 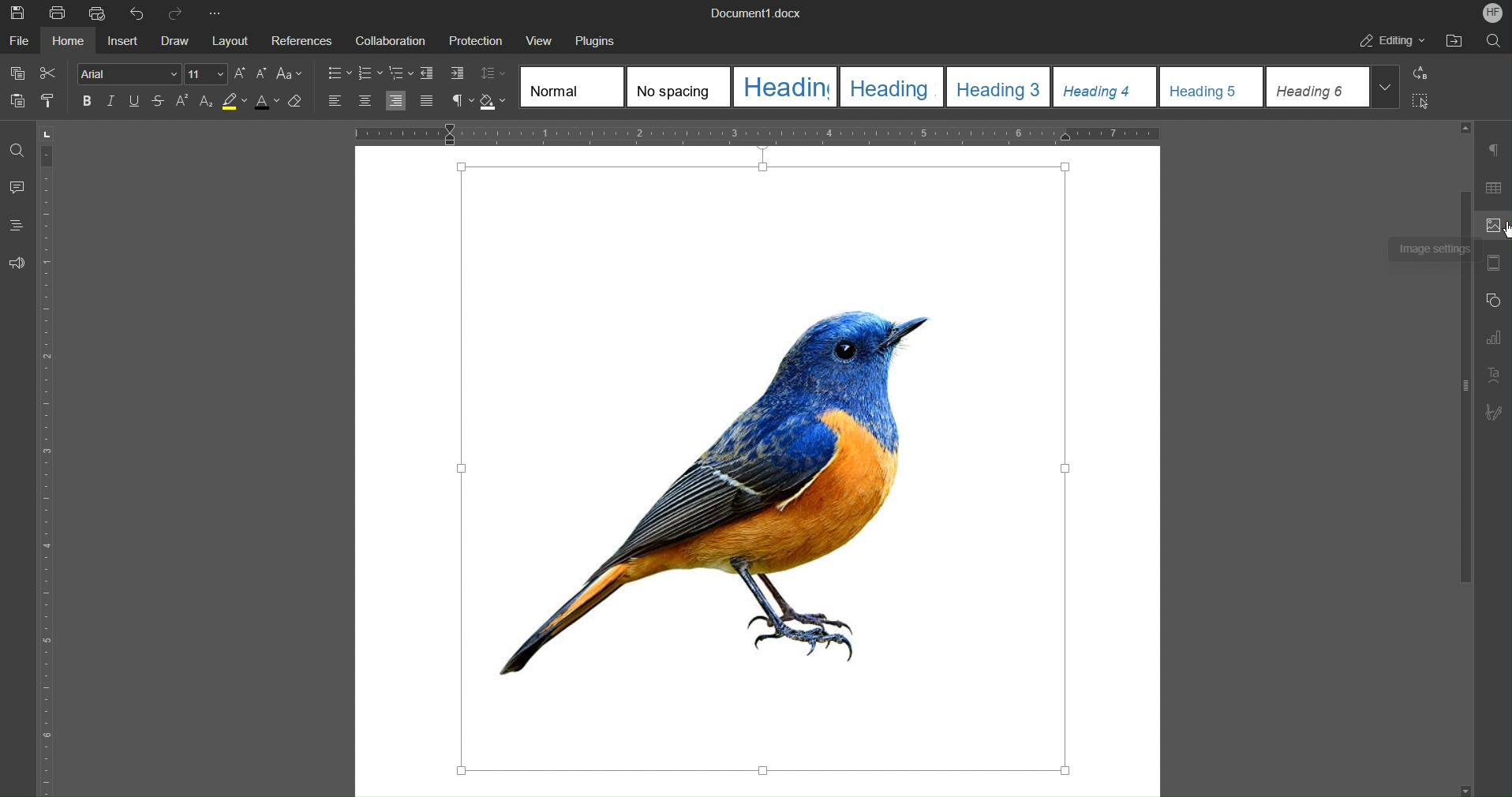 I want to click on Editing, so click(x=1389, y=42).